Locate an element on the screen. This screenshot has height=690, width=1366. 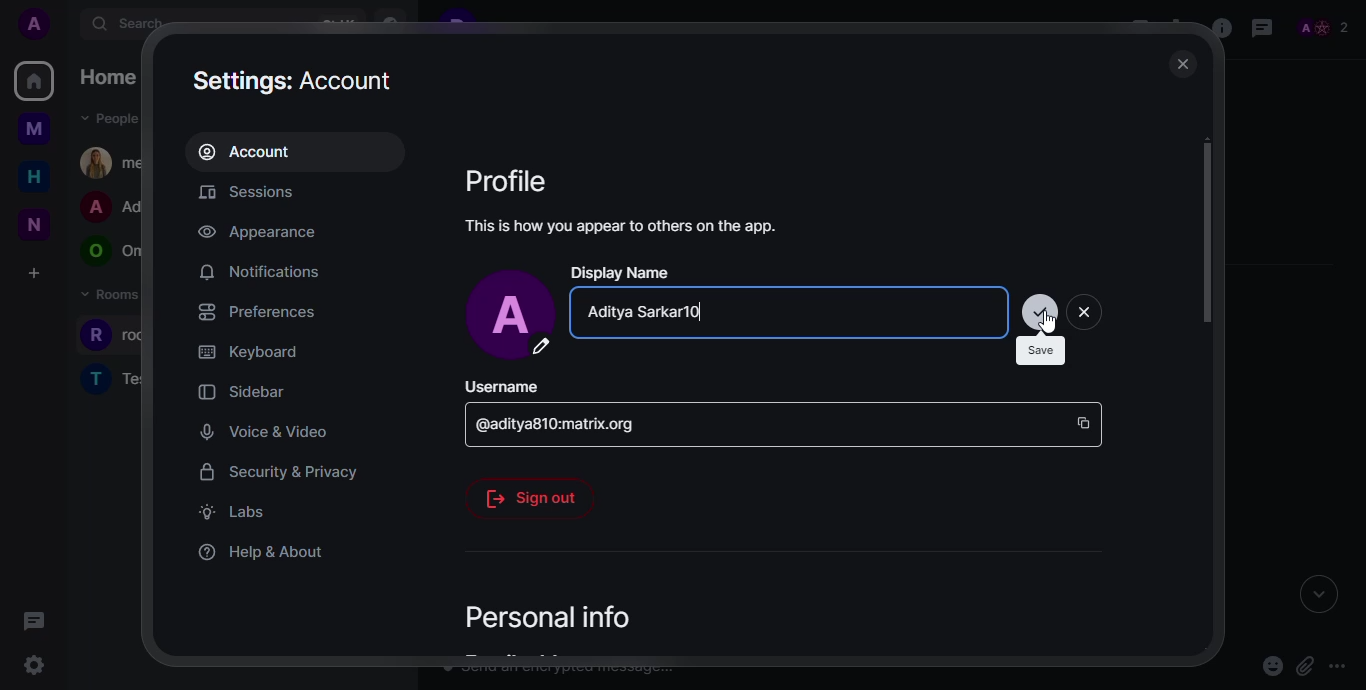
profile is located at coordinates (508, 180).